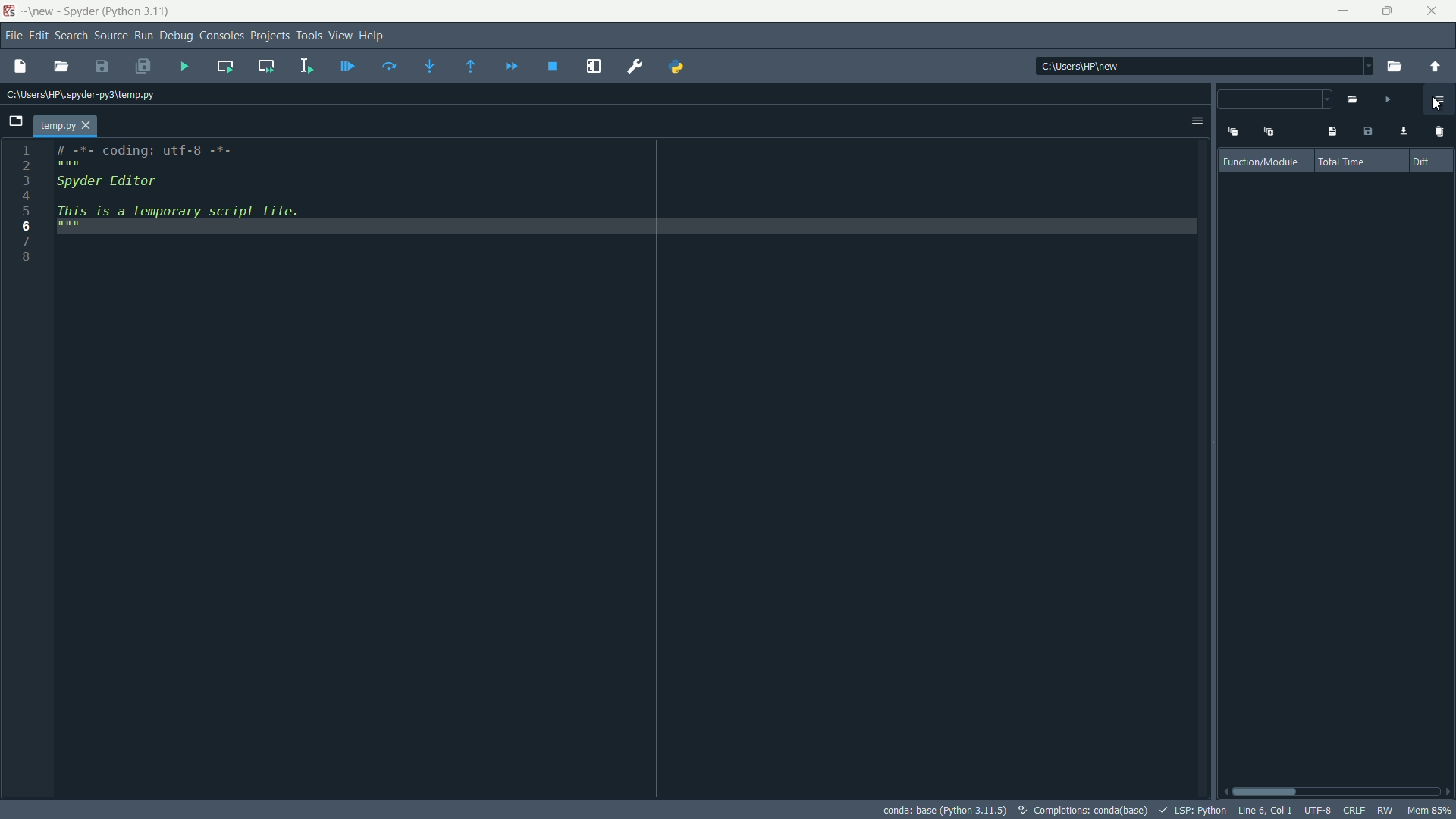  What do you see at coordinates (1430, 810) in the screenshot?
I see `memory usage` at bounding box center [1430, 810].